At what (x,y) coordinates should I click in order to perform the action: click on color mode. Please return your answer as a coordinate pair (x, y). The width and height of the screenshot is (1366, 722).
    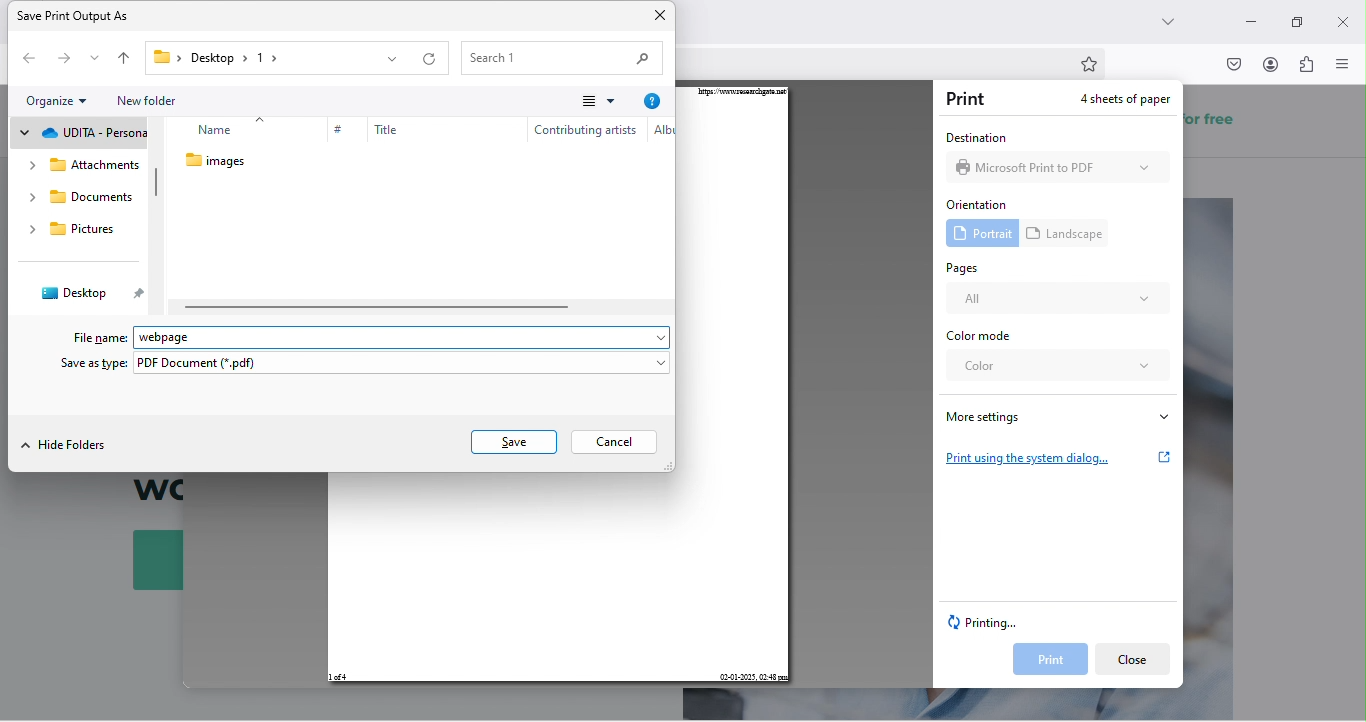
    Looking at the image, I should click on (986, 337).